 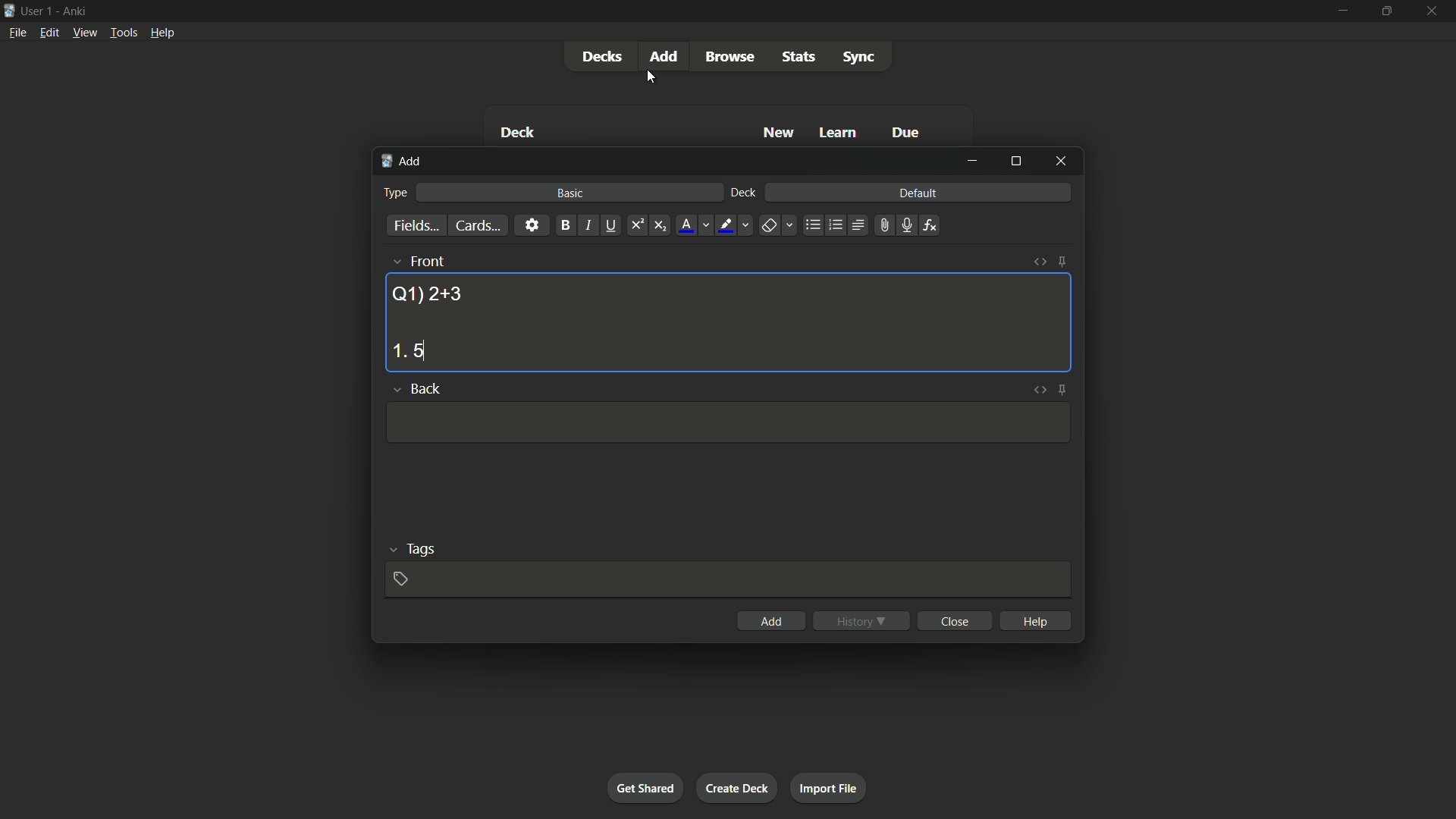 I want to click on app icon, so click(x=9, y=9).